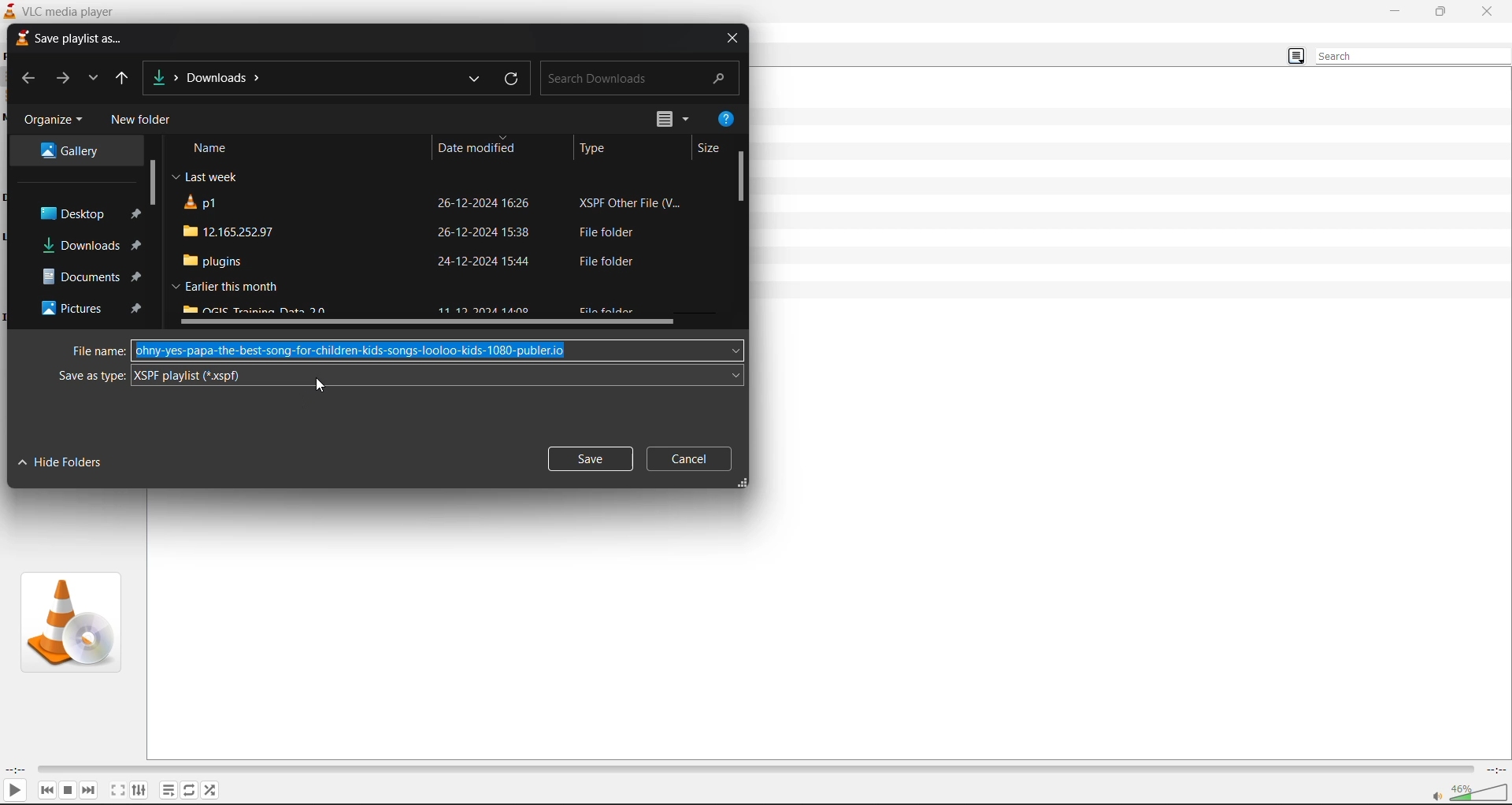  Describe the element at coordinates (52, 118) in the screenshot. I see `organize` at that location.